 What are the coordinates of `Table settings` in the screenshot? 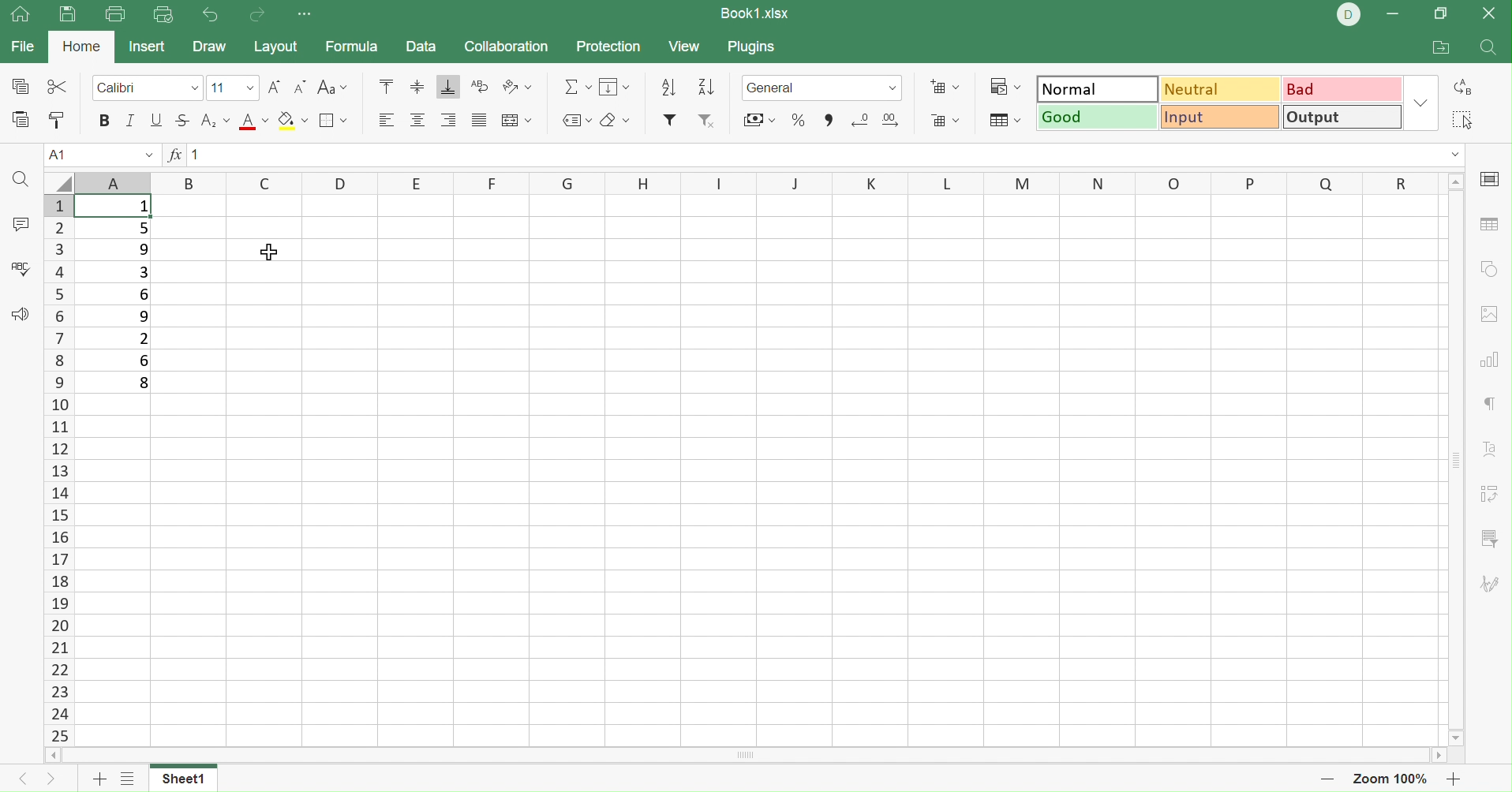 It's located at (1488, 223).